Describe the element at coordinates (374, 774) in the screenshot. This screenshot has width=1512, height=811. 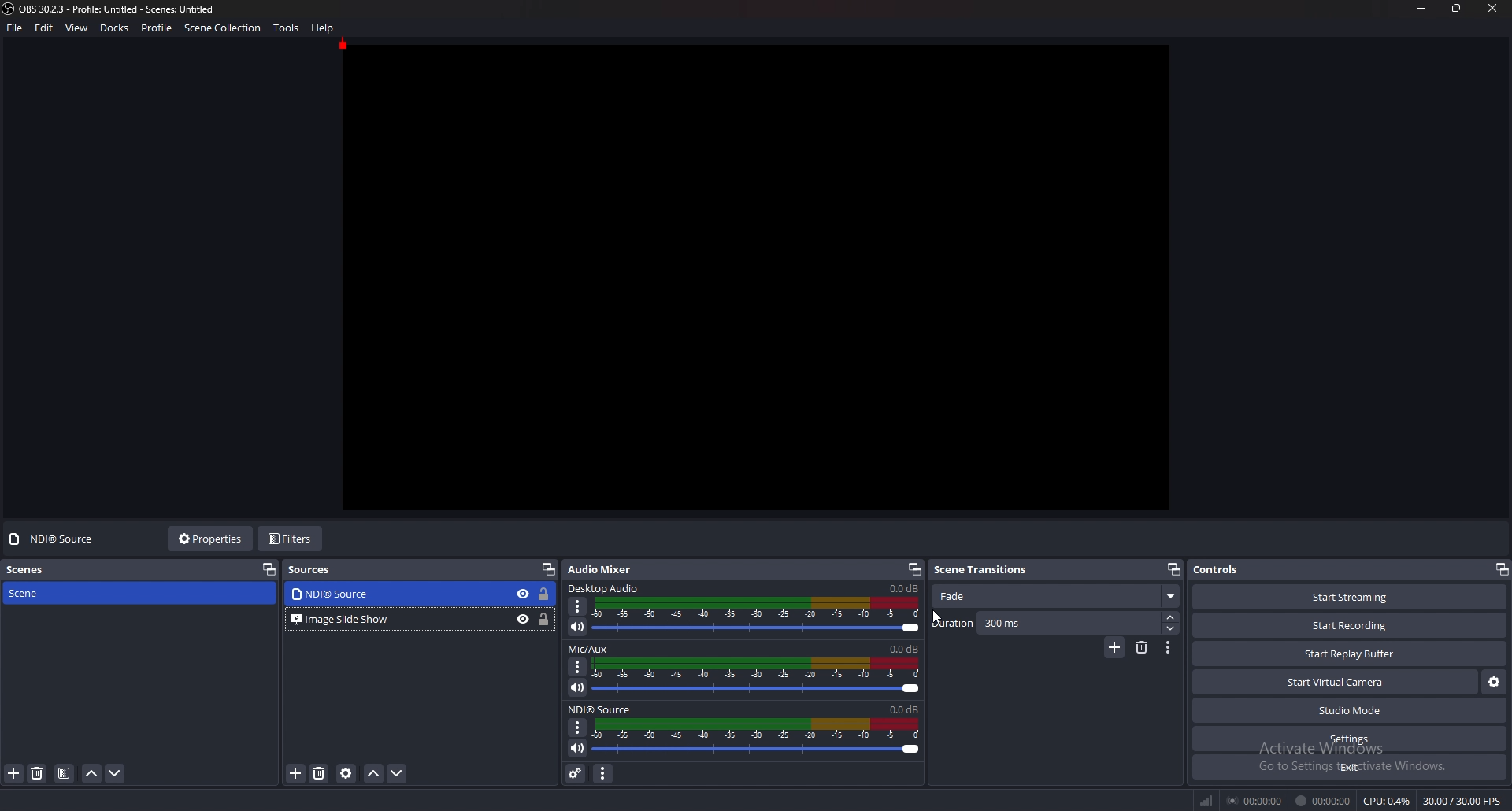
I see `move source up` at that location.